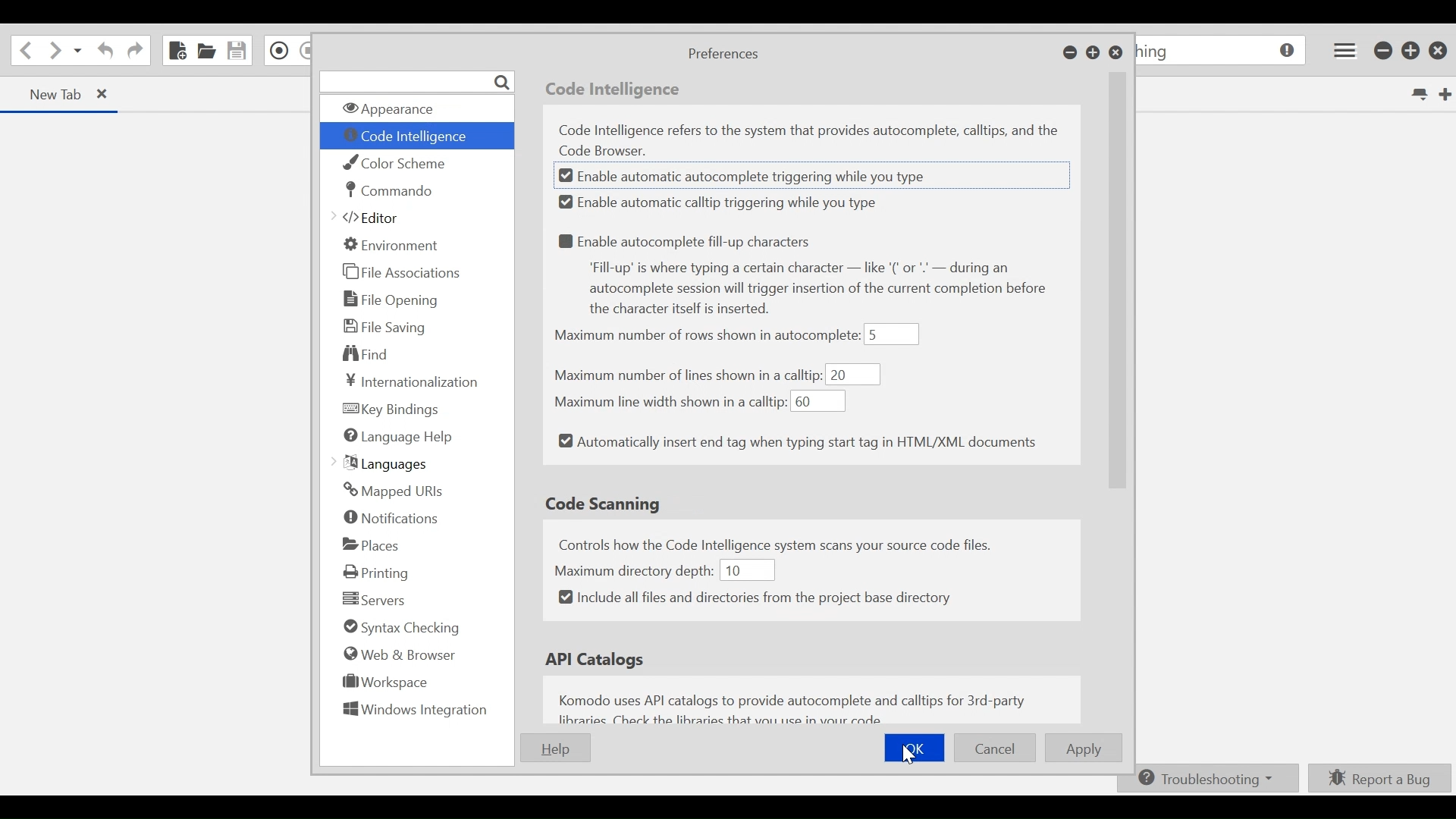 The height and width of the screenshot is (819, 1456). Describe the element at coordinates (818, 402) in the screenshot. I see `60` at that location.